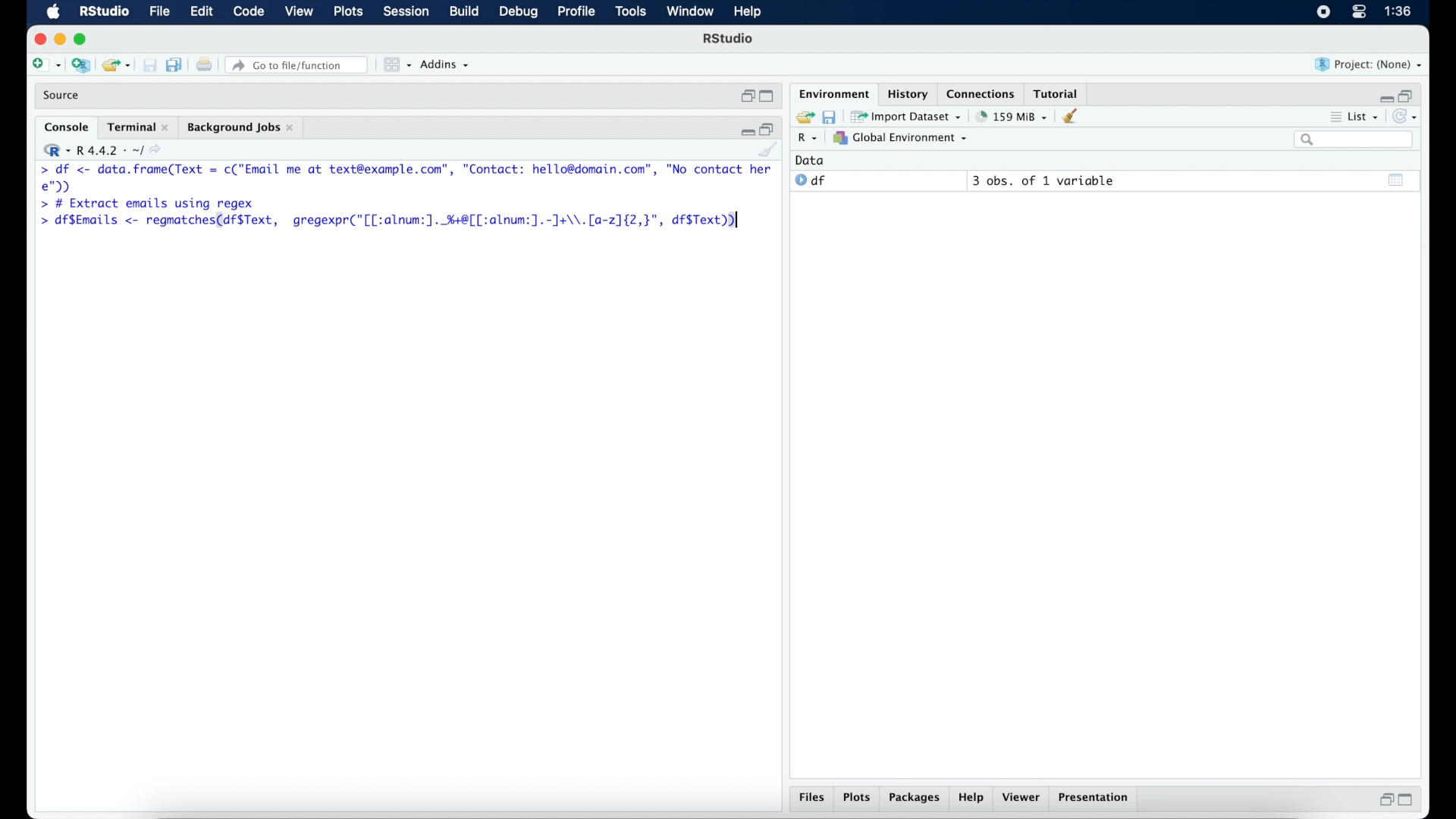  What do you see at coordinates (1096, 799) in the screenshot?
I see `presentation` at bounding box center [1096, 799].